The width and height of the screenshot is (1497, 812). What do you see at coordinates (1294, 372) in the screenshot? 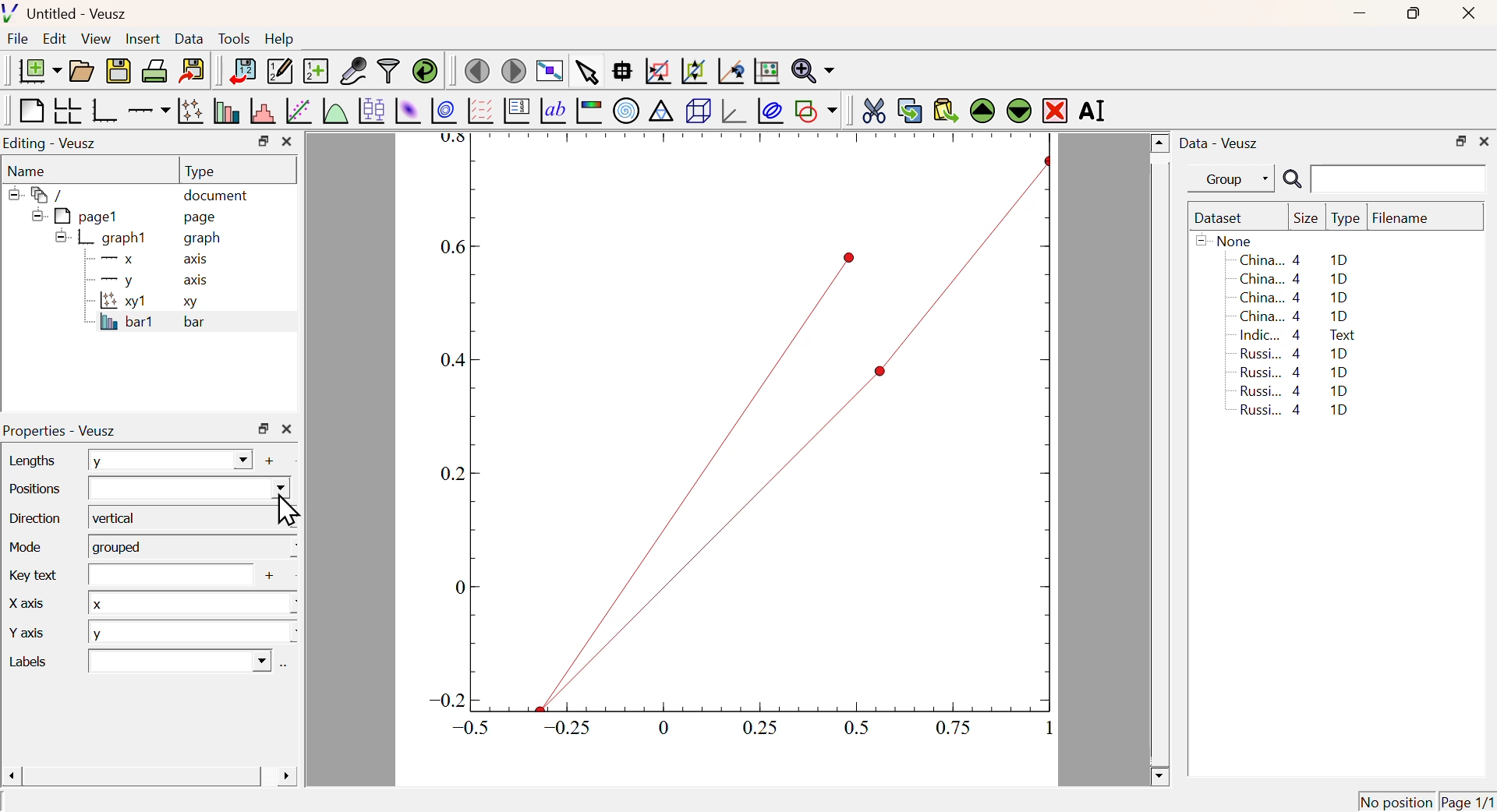
I see `Russi... 4 1D` at bounding box center [1294, 372].